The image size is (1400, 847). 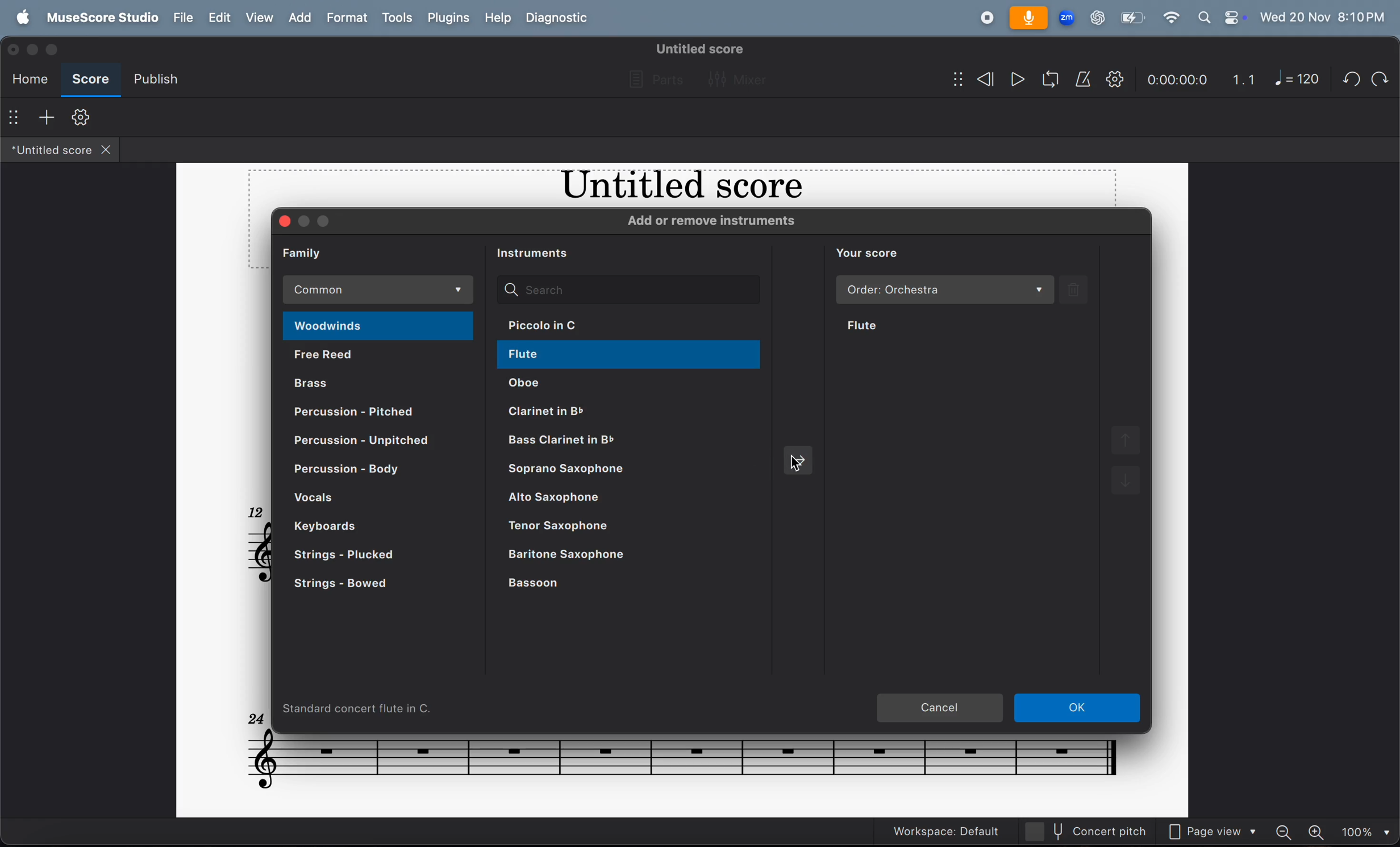 I want to click on brass, so click(x=381, y=383).